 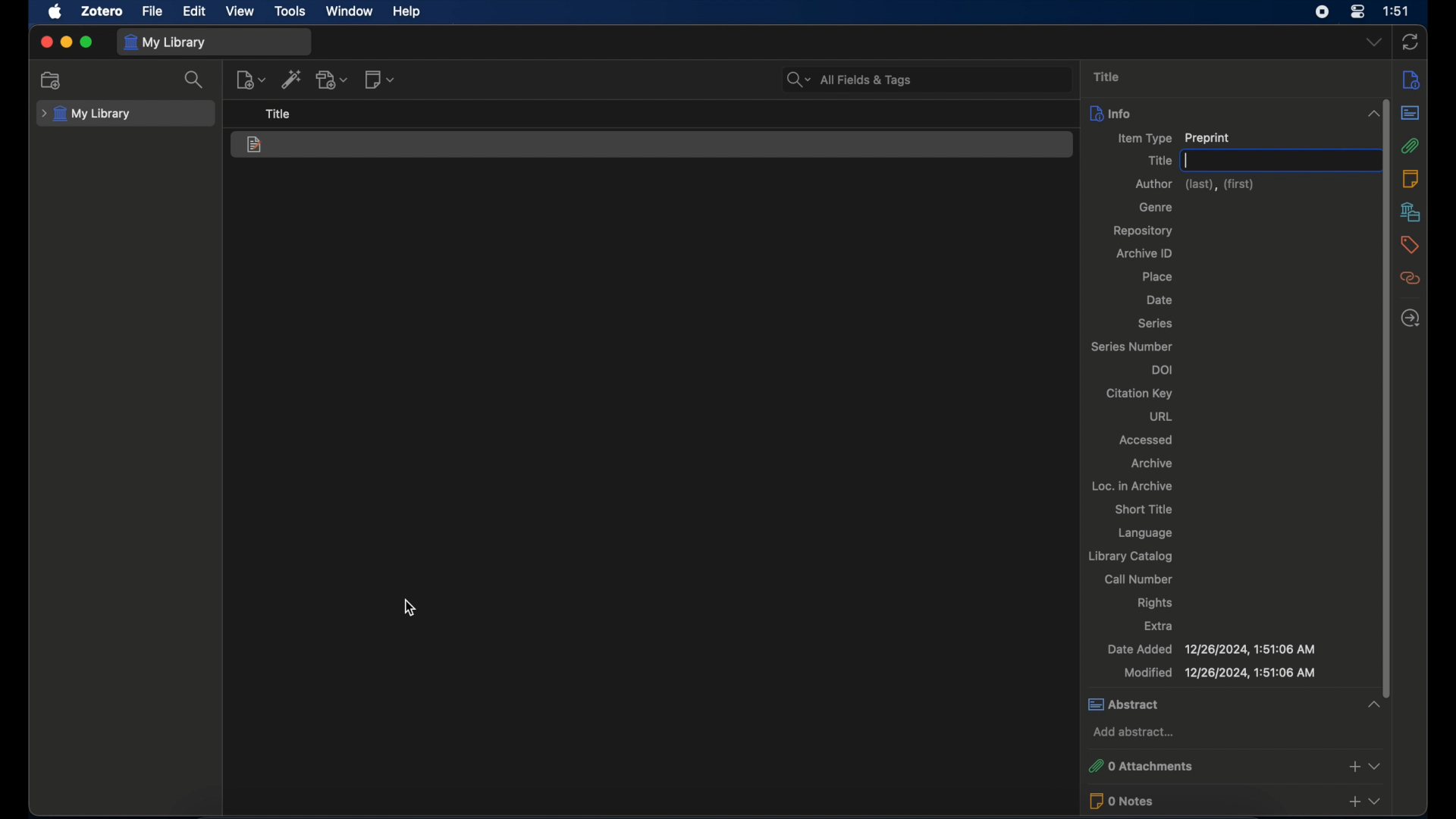 I want to click on rights, so click(x=1155, y=603).